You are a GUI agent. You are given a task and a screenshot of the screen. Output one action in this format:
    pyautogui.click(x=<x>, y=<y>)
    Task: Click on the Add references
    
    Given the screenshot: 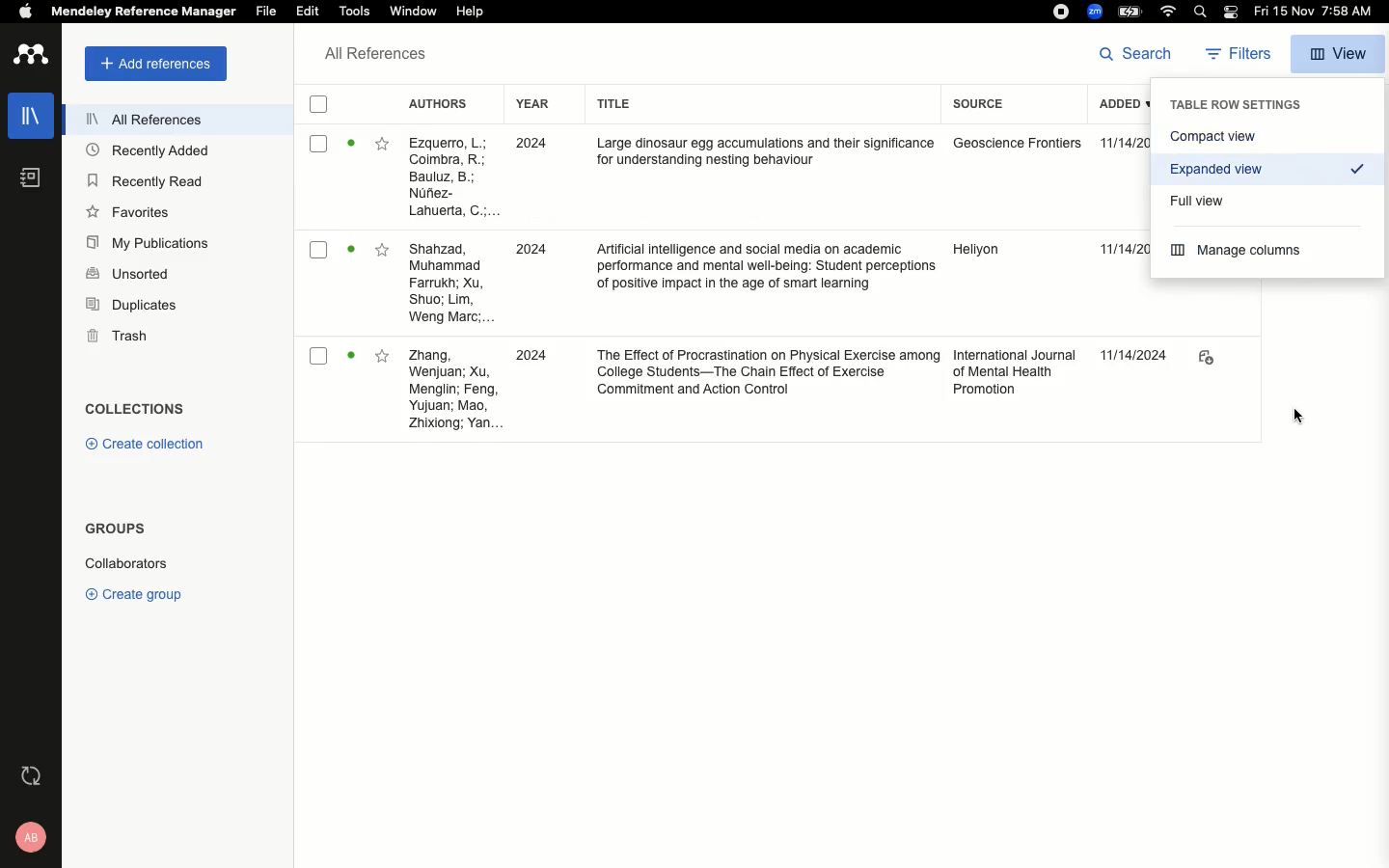 What is the action you would take?
    pyautogui.click(x=150, y=65)
    